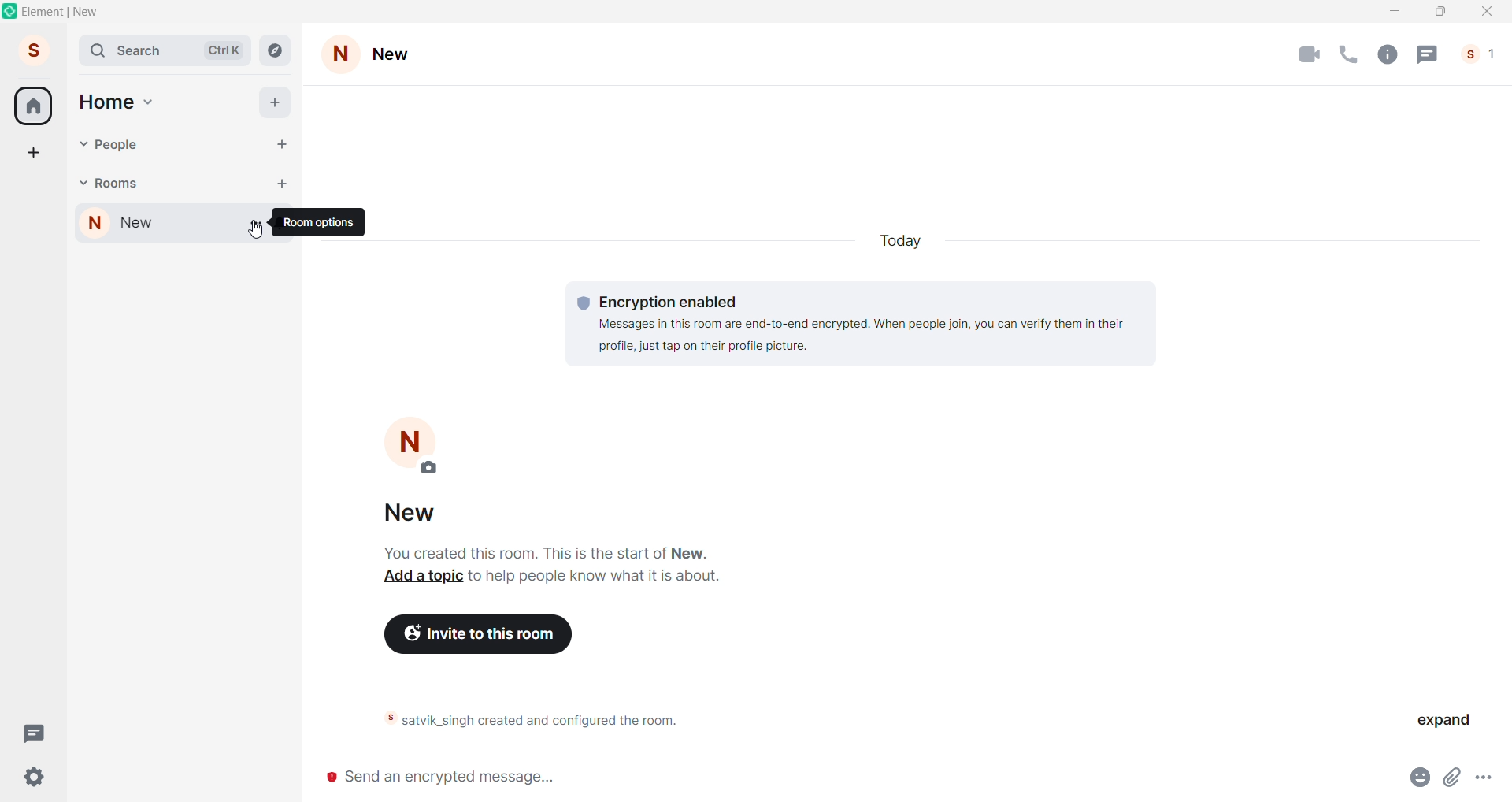 Image resolution: width=1512 pixels, height=802 pixels. Describe the element at coordinates (121, 183) in the screenshot. I see `Rooms` at that location.